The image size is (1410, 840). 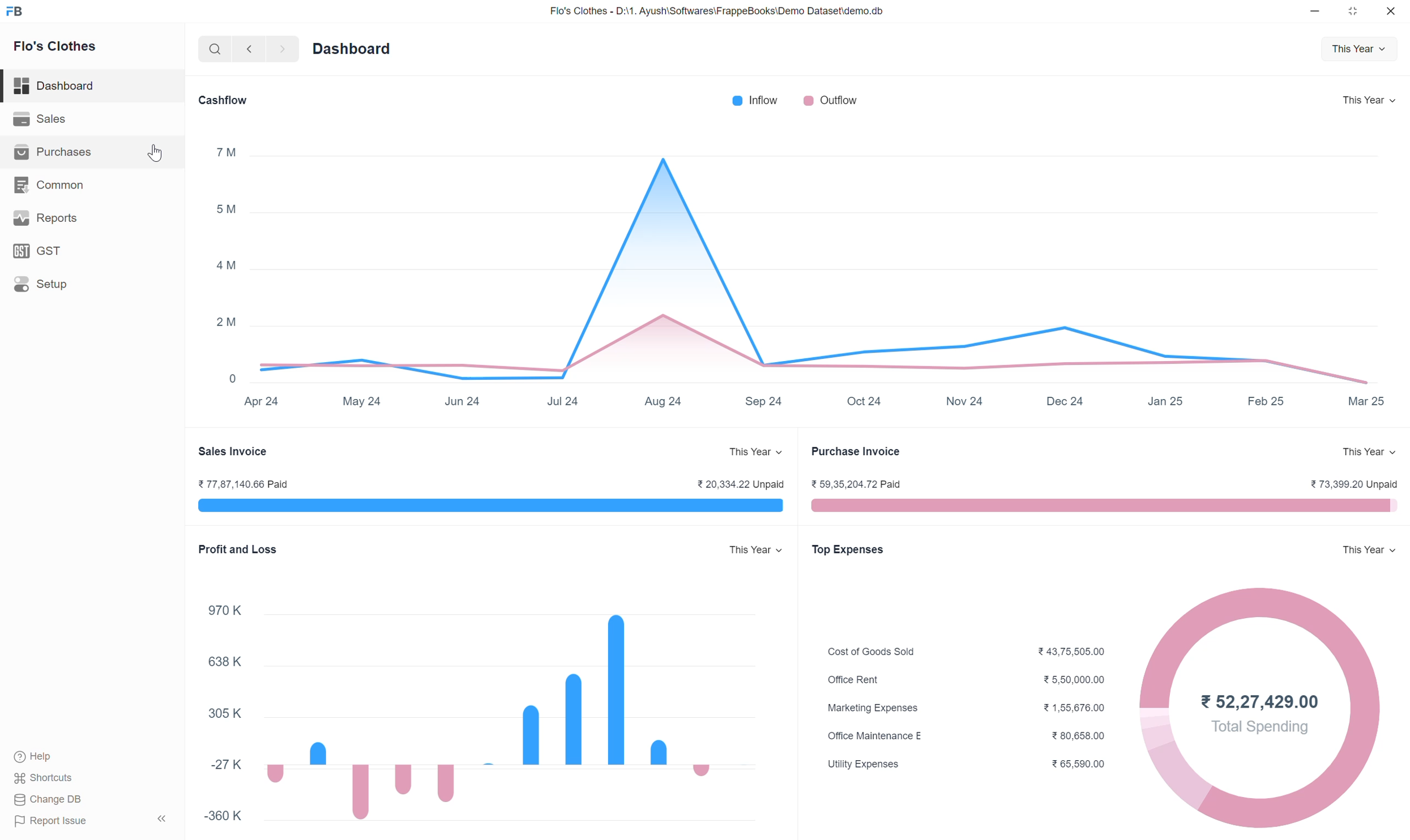 What do you see at coordinates (229, 262) in the screenshot?
I see `y-axis label  M` at bounding box center [229, 262].